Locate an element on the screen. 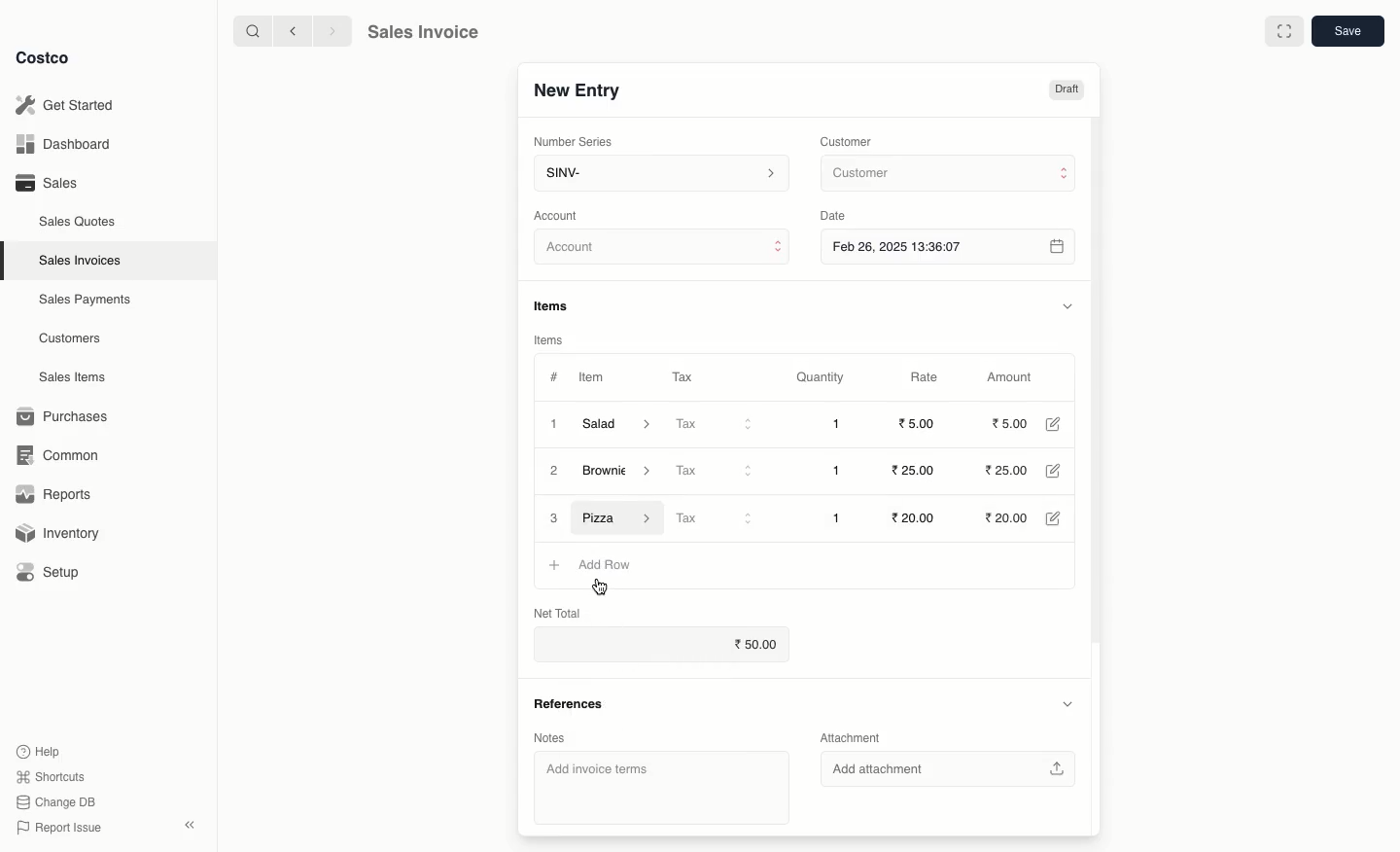 The height and width of the screenshot is (852, 1400). Collapse is located at coordinates (192, 826).